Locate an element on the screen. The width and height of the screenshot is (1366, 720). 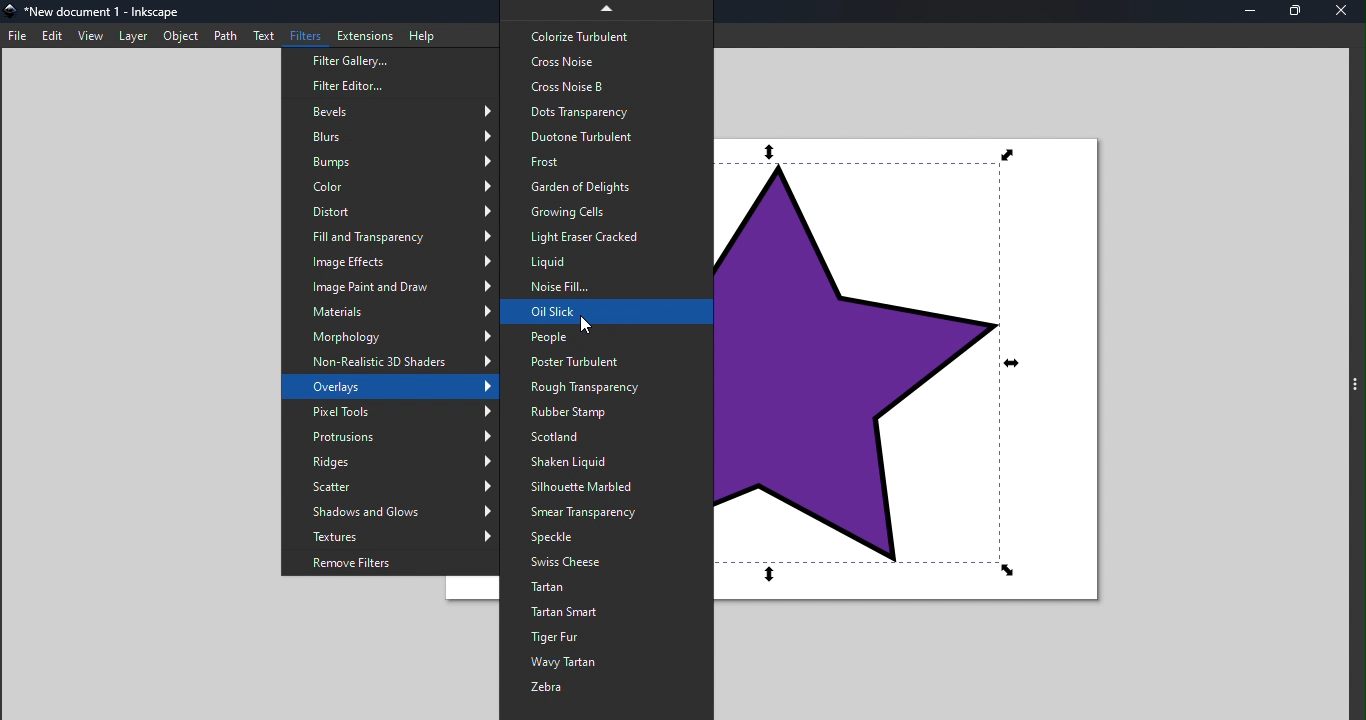
Wavy tartan is located at coordinates (607, 664).